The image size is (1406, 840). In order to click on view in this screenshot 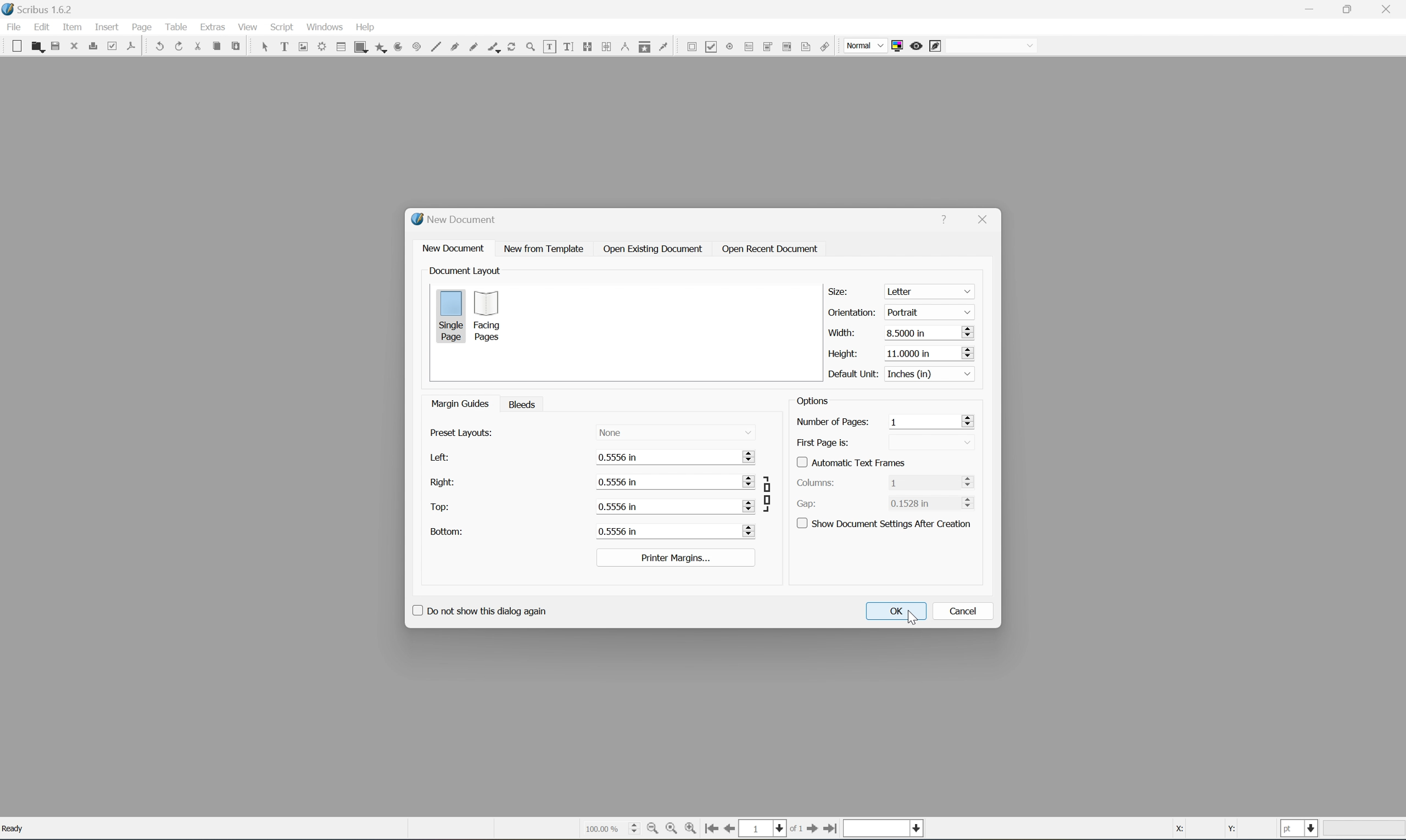, I will do `click(249, 28)`.